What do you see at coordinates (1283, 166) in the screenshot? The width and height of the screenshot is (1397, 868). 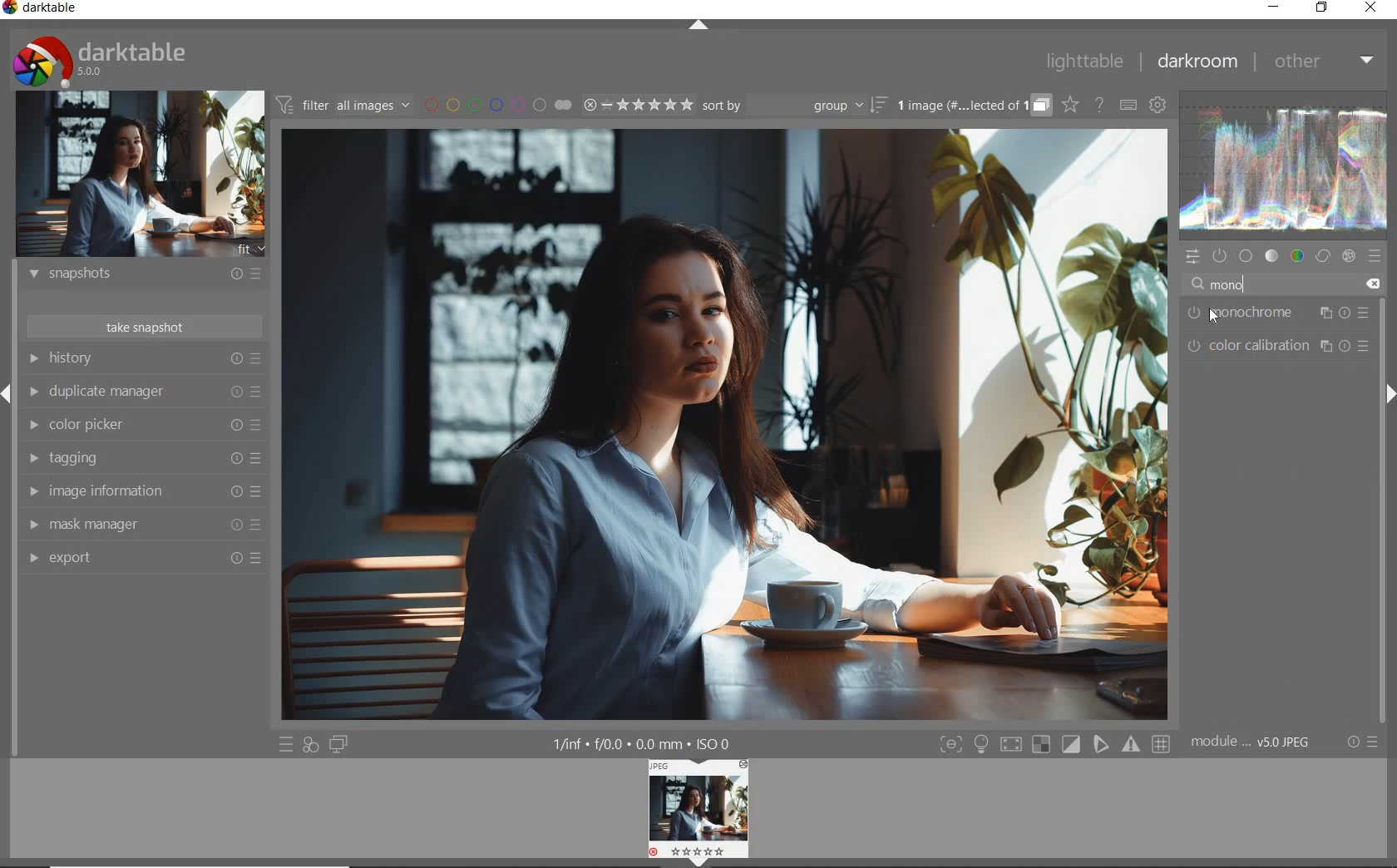 I see `waveform` at bounding box center [1283, 166].